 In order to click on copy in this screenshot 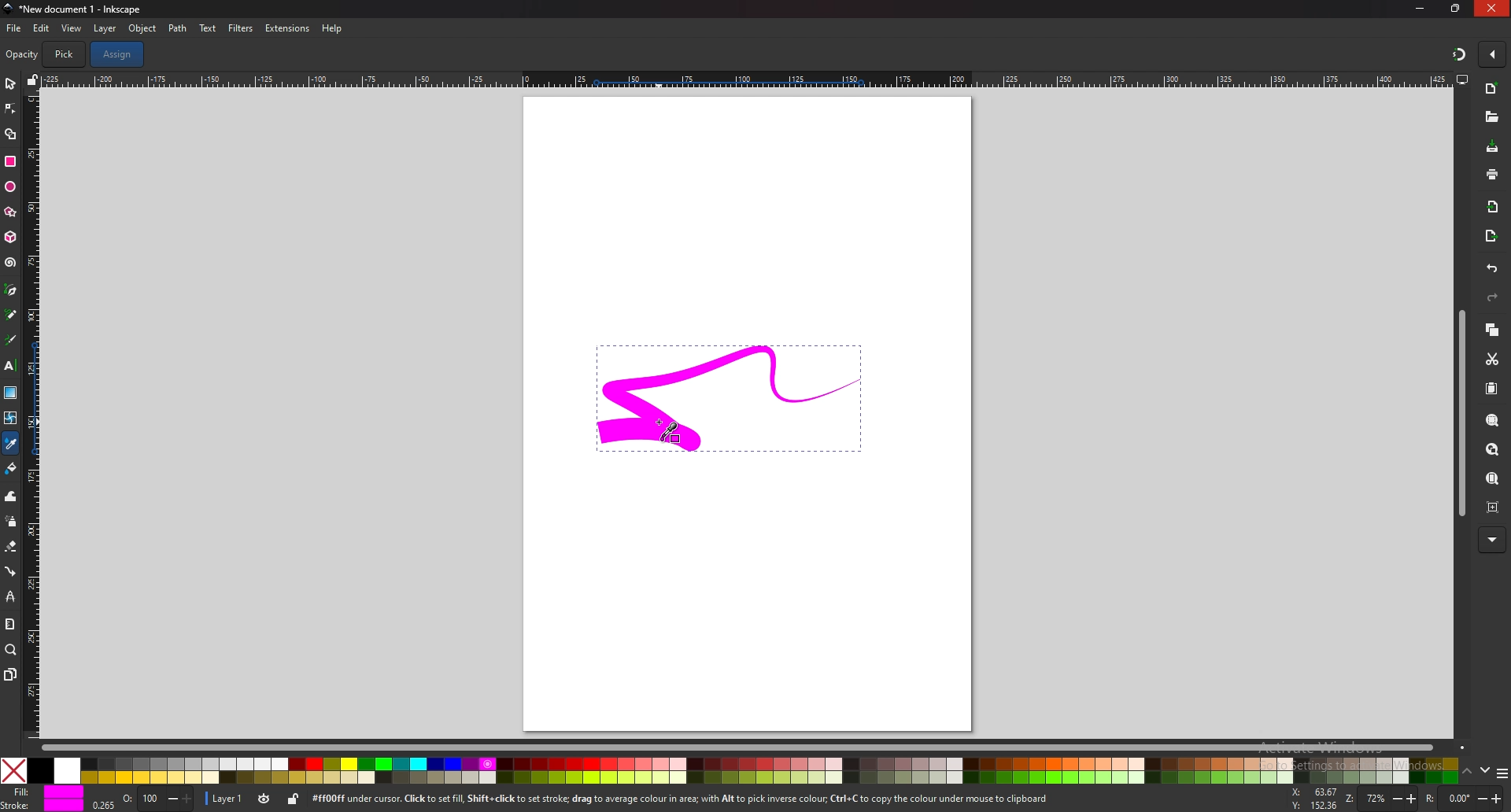, I will do `click(1494, 330)`.